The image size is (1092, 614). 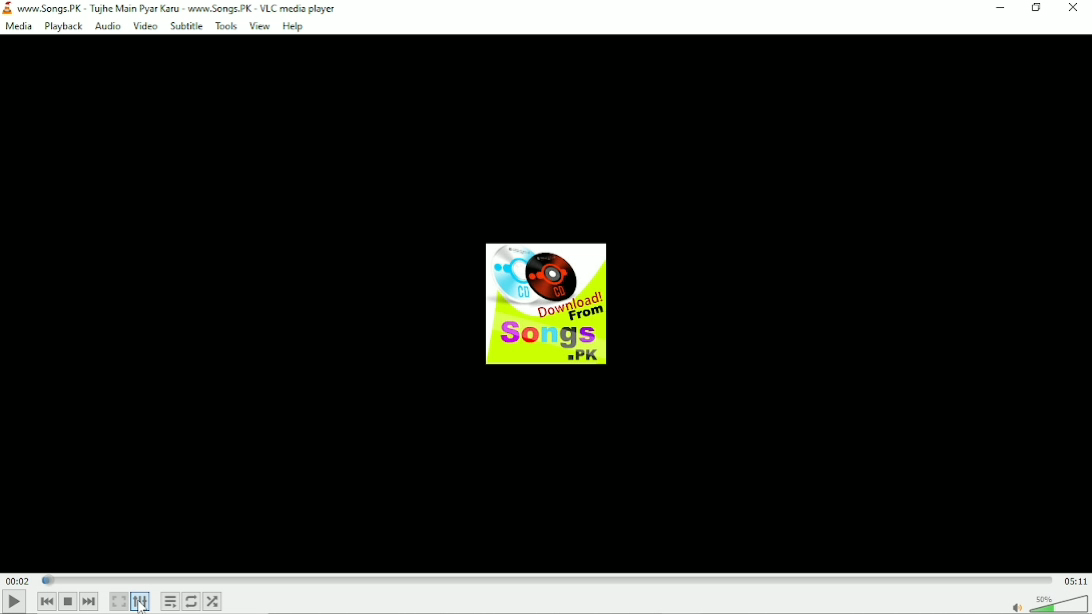 I want to click on Toggle between loop all, loop one and no loop, so click(x=192, y=601).